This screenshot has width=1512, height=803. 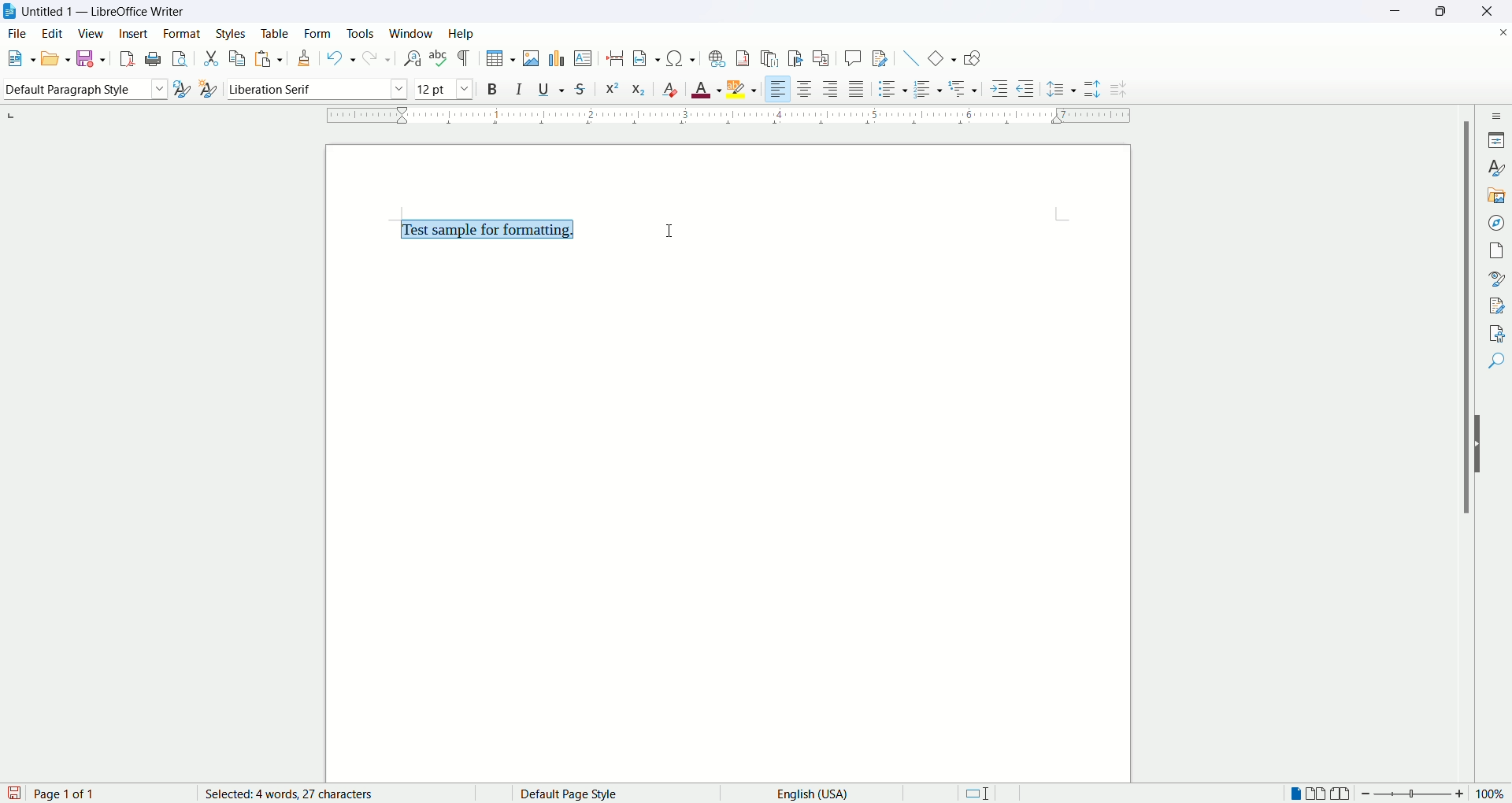 What do you see at coordinates (292, 794) in the screenshot?
I see `words and characters` at bounding box center [292, 794].